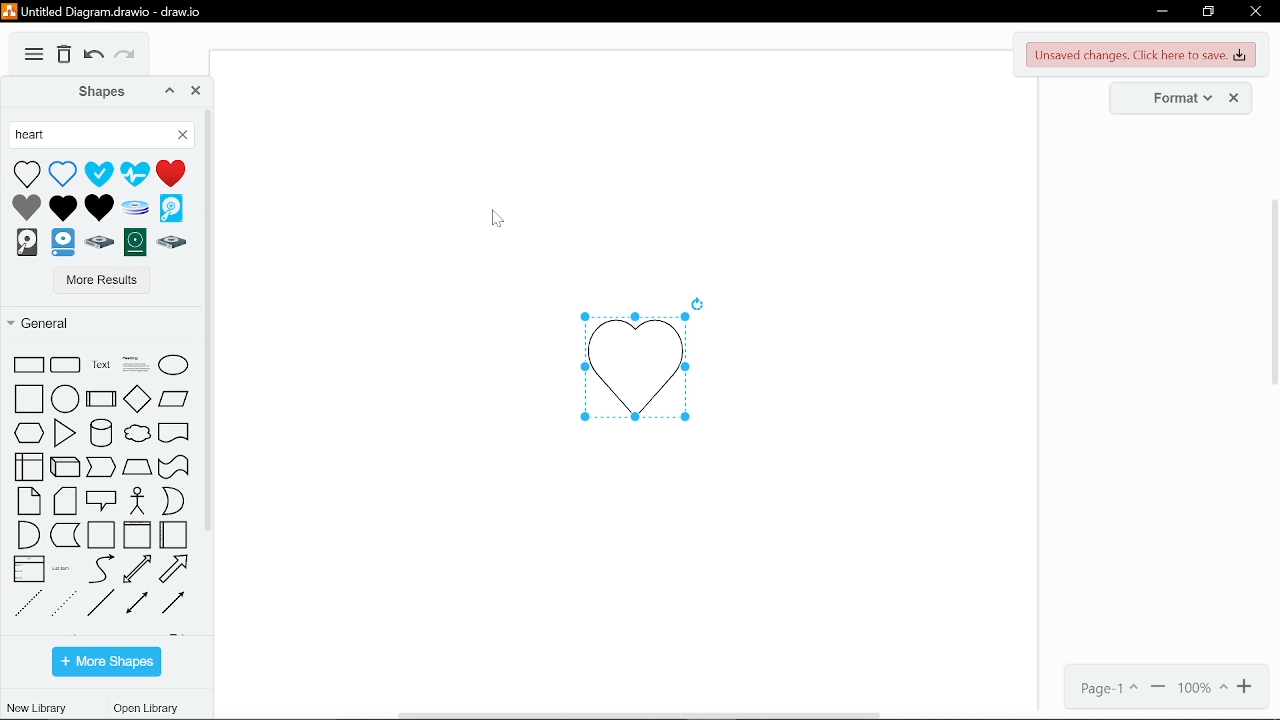 This screenshot has height=720, width=1280. Describe the element at coordinates (99, 365) in the screenshot. I see `text` at that location.